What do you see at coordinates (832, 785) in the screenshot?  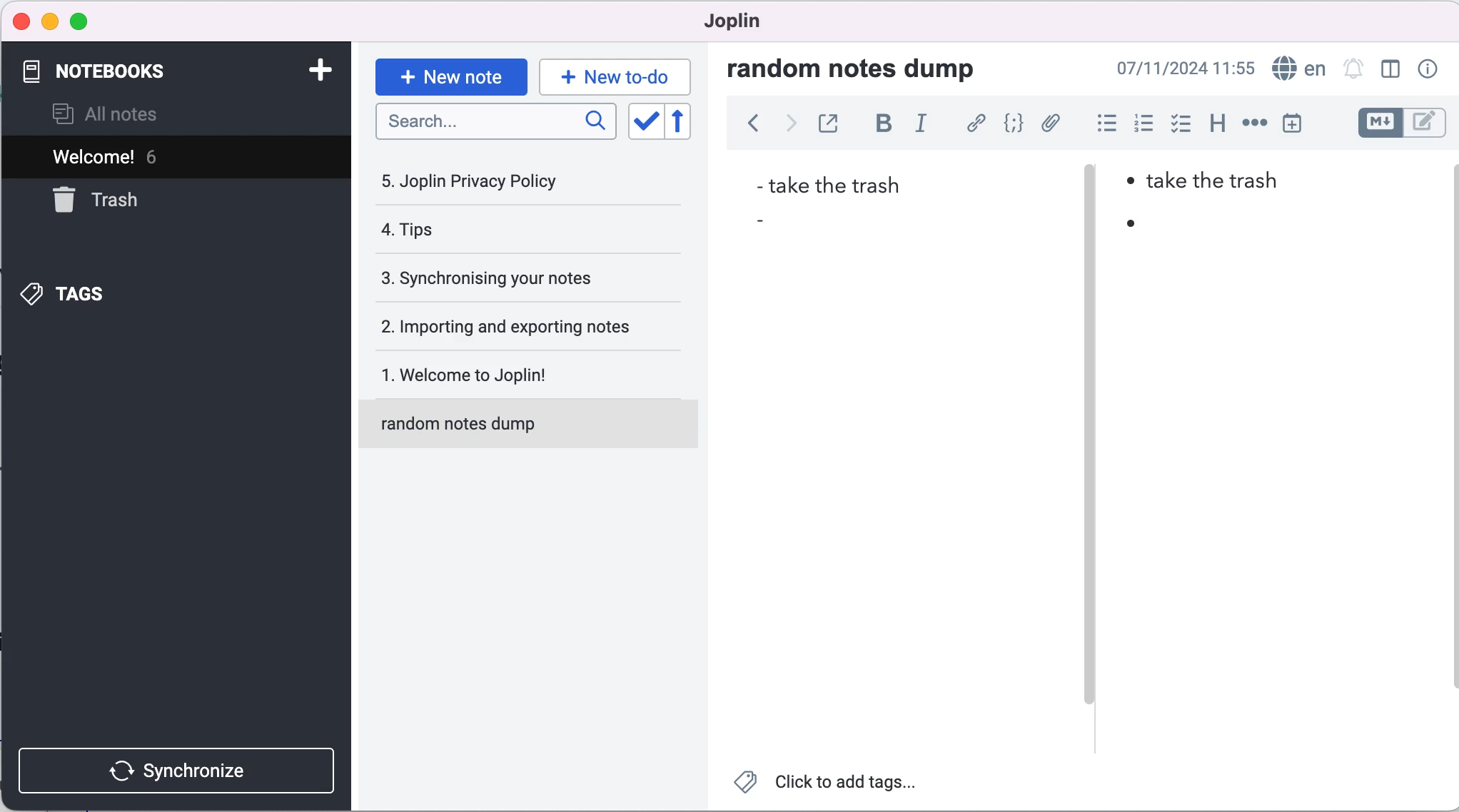 I see `click to add tags` at bounding box center [832, 785].